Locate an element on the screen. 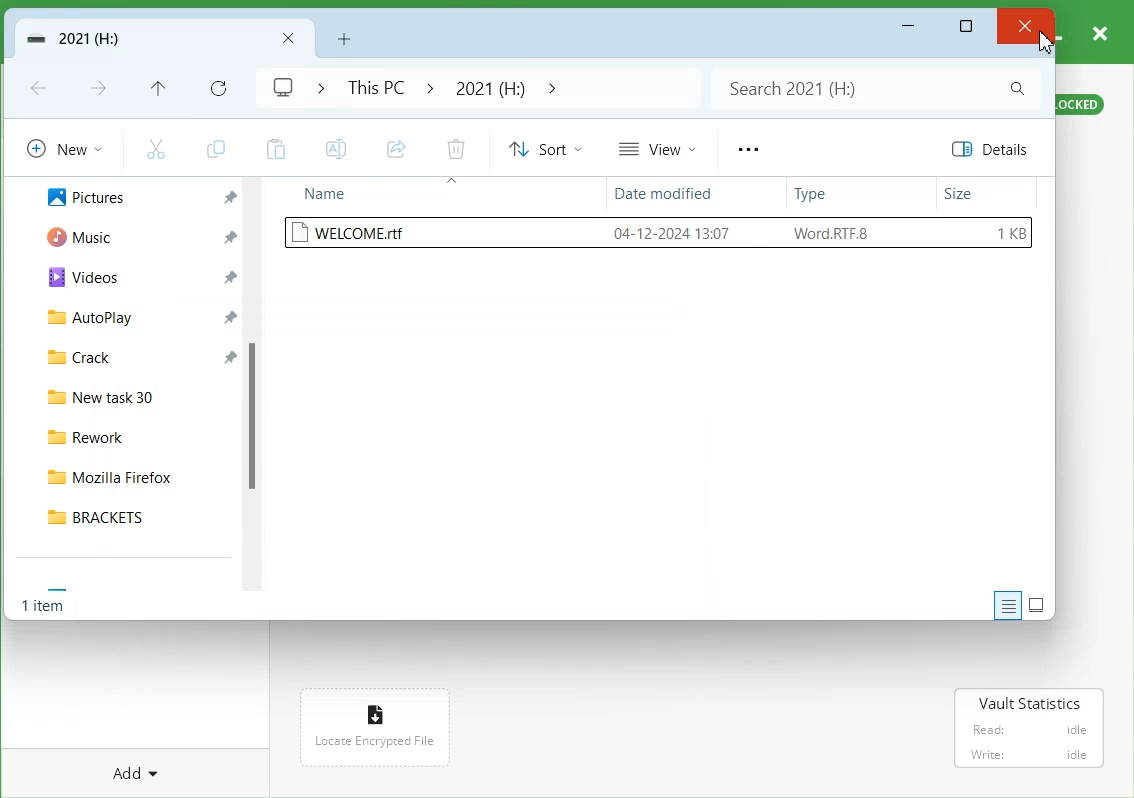 The height and width of the screenshot is (798, 1134). Go Back  is located at coordinates (41, 89).